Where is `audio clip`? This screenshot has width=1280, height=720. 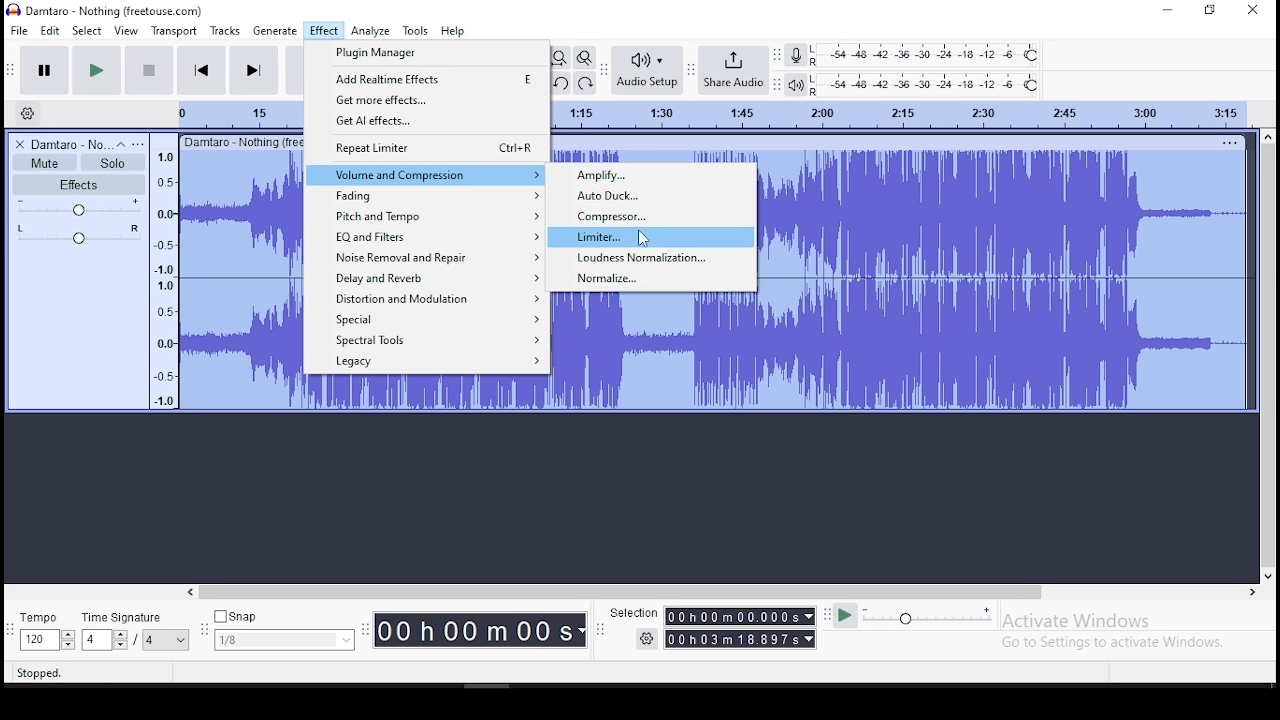 audio clip is located at coordinates (241, 281).